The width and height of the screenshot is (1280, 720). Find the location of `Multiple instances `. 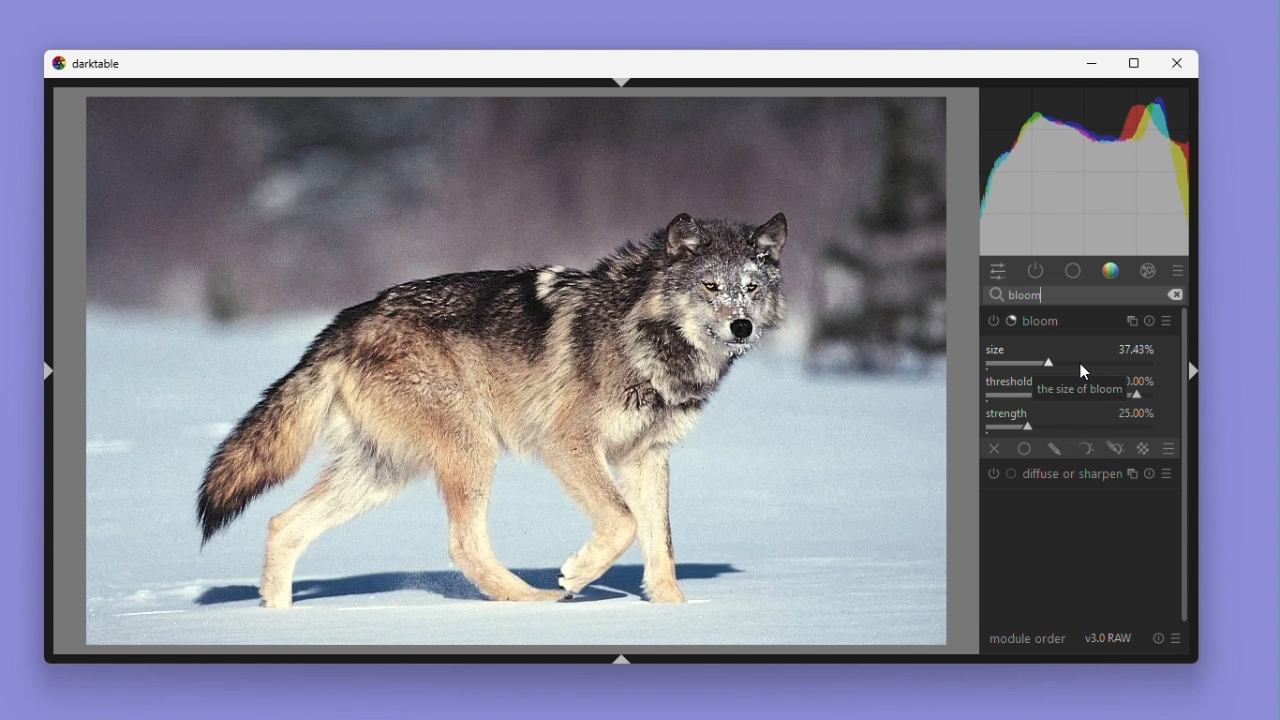

Multiple instances  is located at coordinates (1133, 320).